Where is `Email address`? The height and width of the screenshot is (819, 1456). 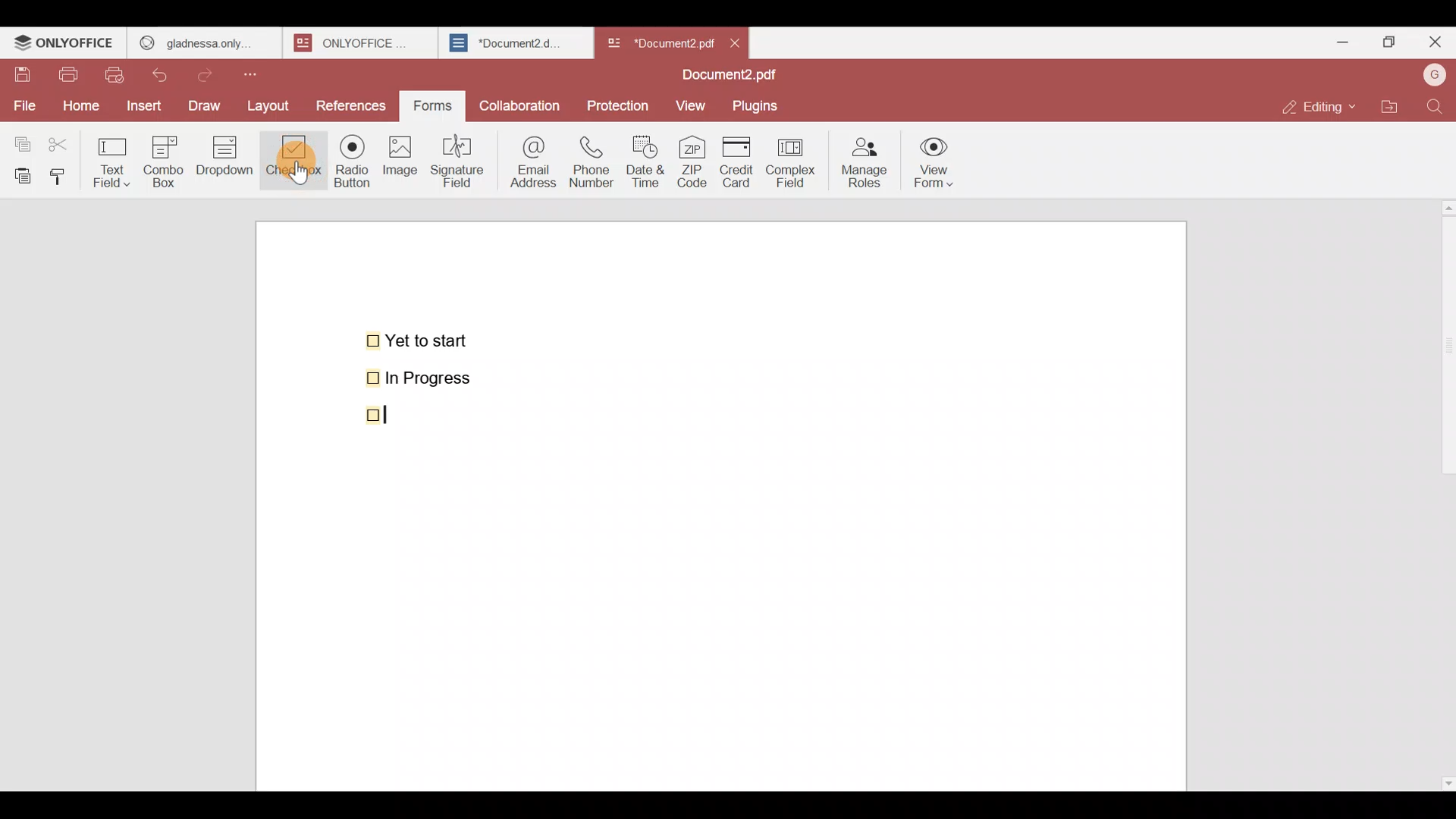 Email address is located at coordinates (530, 160).